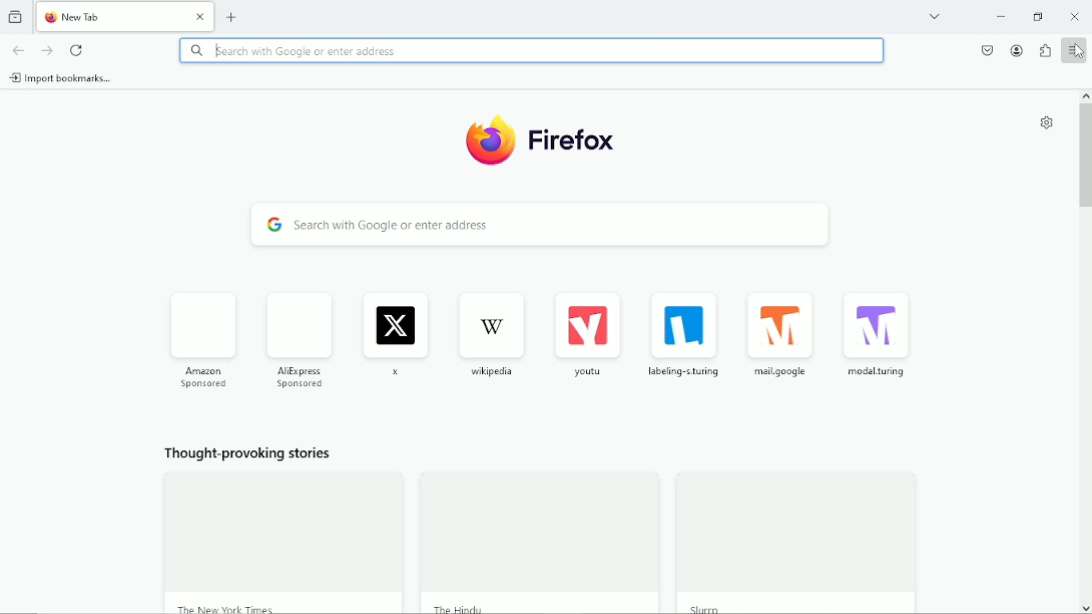 Image resolution: width=1092 pixels, height=614 pixels. I want to click on thought provoking stories, so click(534, 523).